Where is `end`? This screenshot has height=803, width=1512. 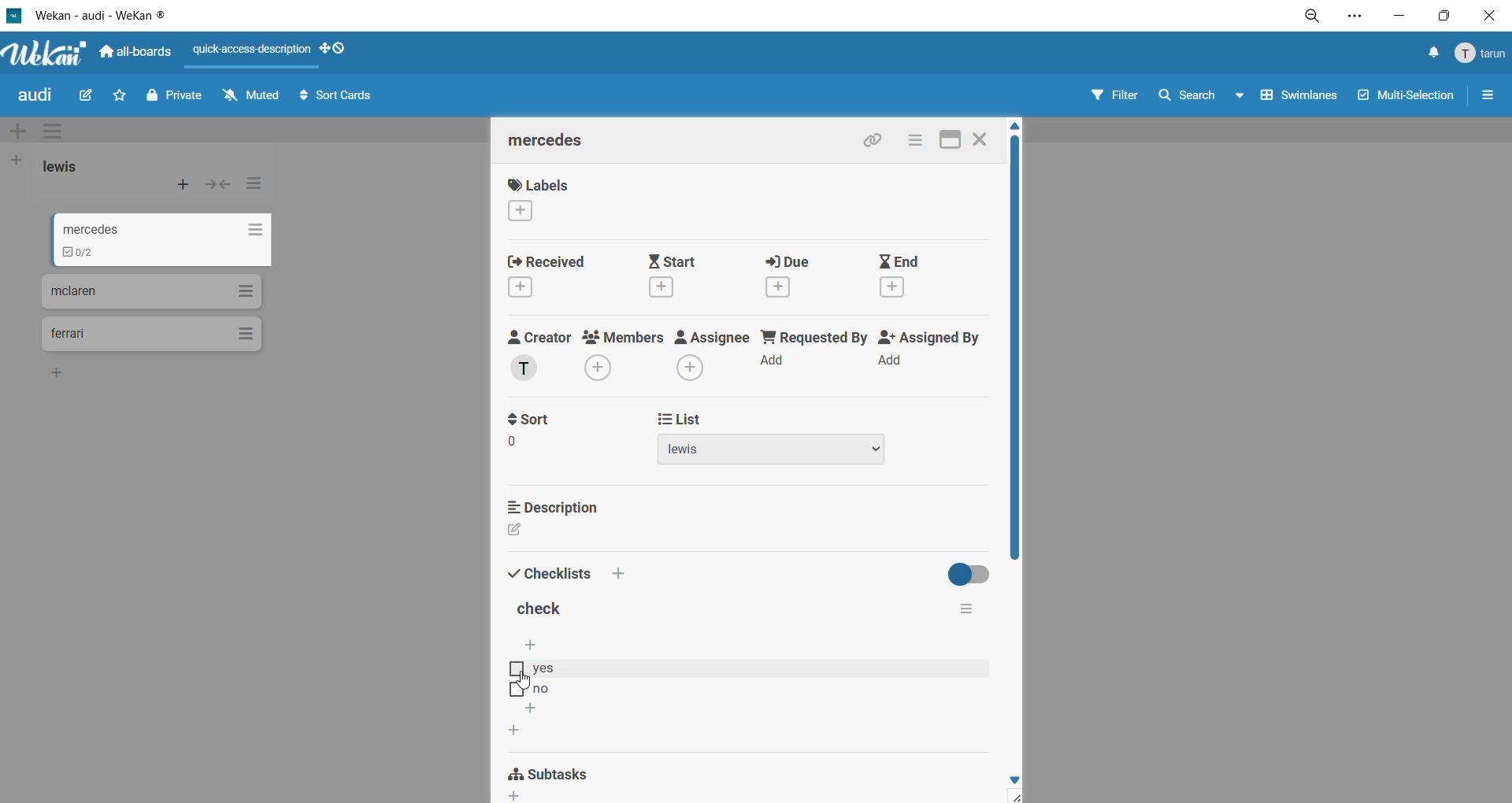 end is located at coordinates (903, 275).